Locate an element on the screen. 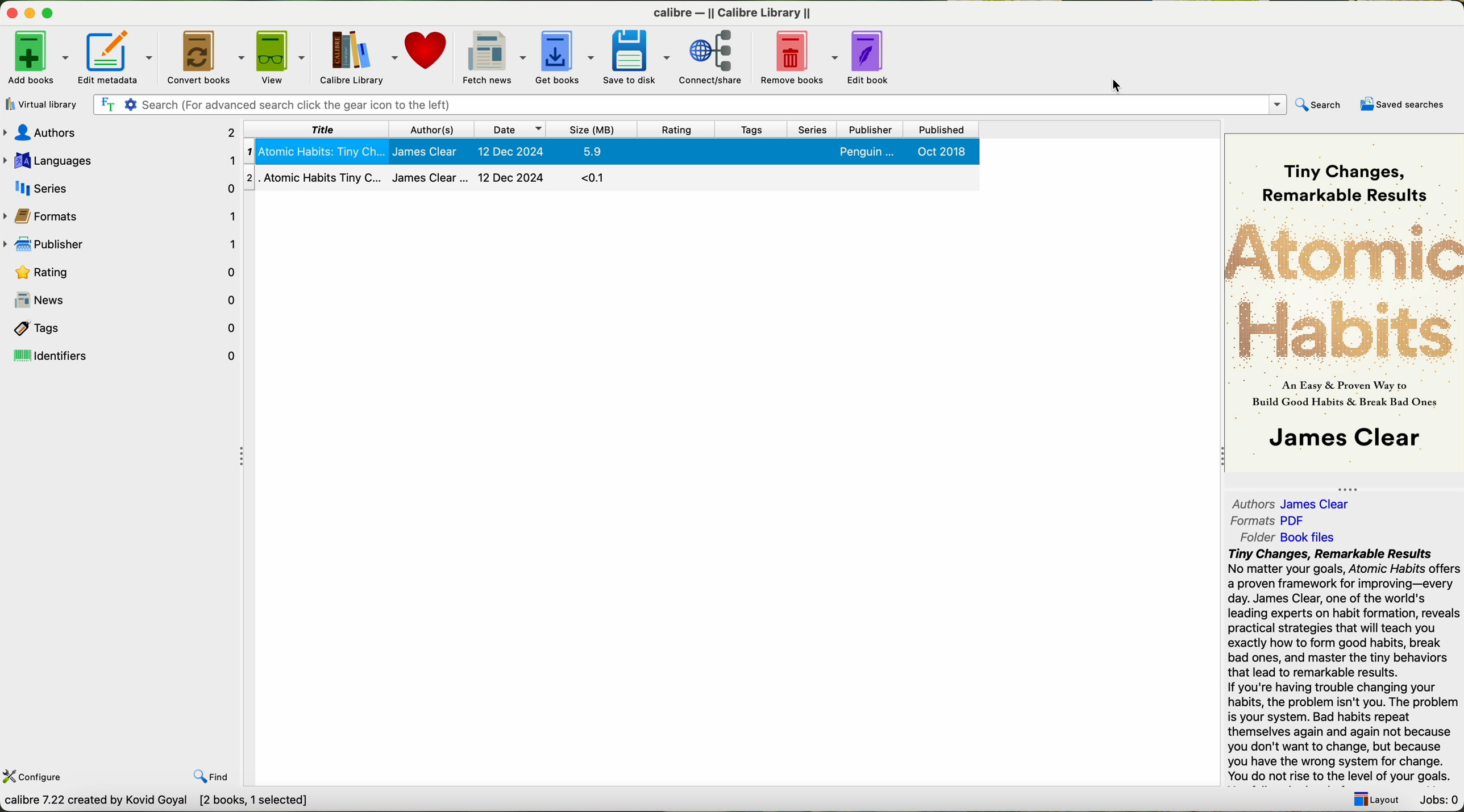  search bar is located at coordinates (689, 105).